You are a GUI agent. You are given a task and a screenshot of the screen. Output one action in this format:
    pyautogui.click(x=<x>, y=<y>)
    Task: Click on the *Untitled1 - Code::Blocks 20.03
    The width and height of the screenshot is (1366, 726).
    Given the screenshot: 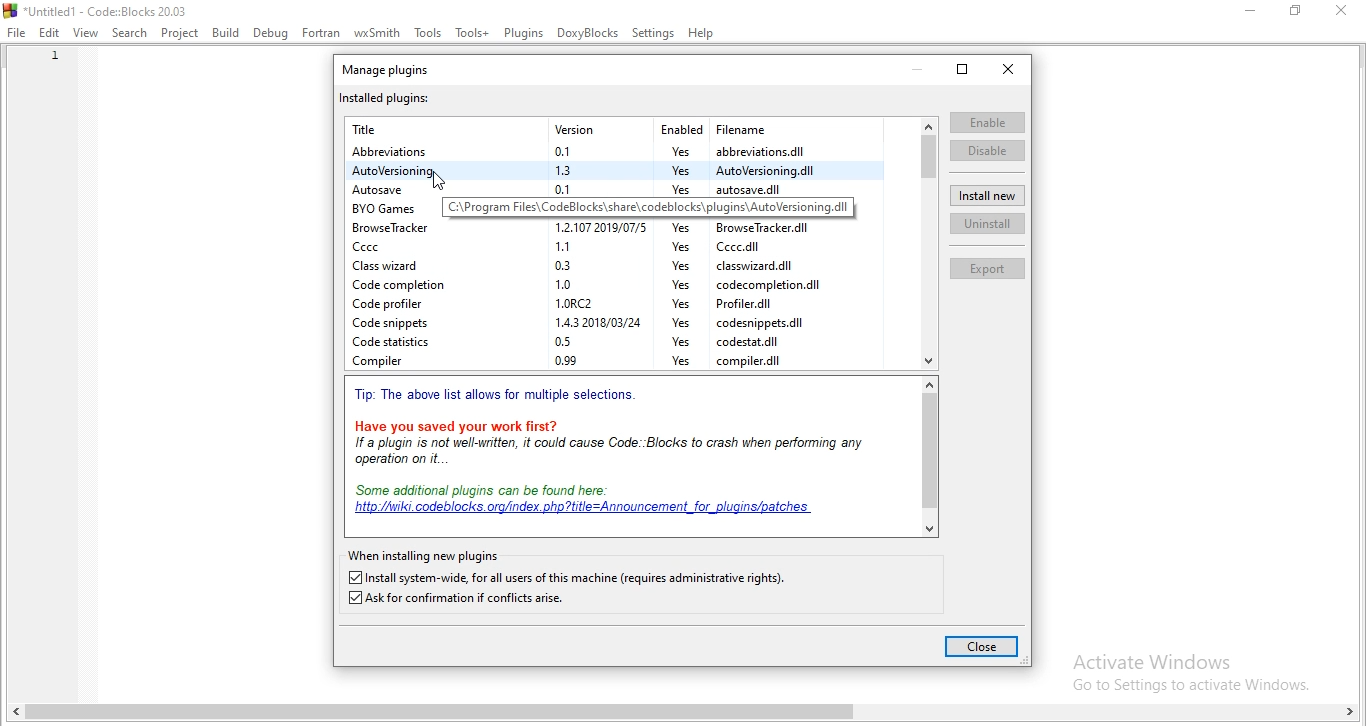 What is the action you would take?
    pyautogui.click(x=97, y=10)
    